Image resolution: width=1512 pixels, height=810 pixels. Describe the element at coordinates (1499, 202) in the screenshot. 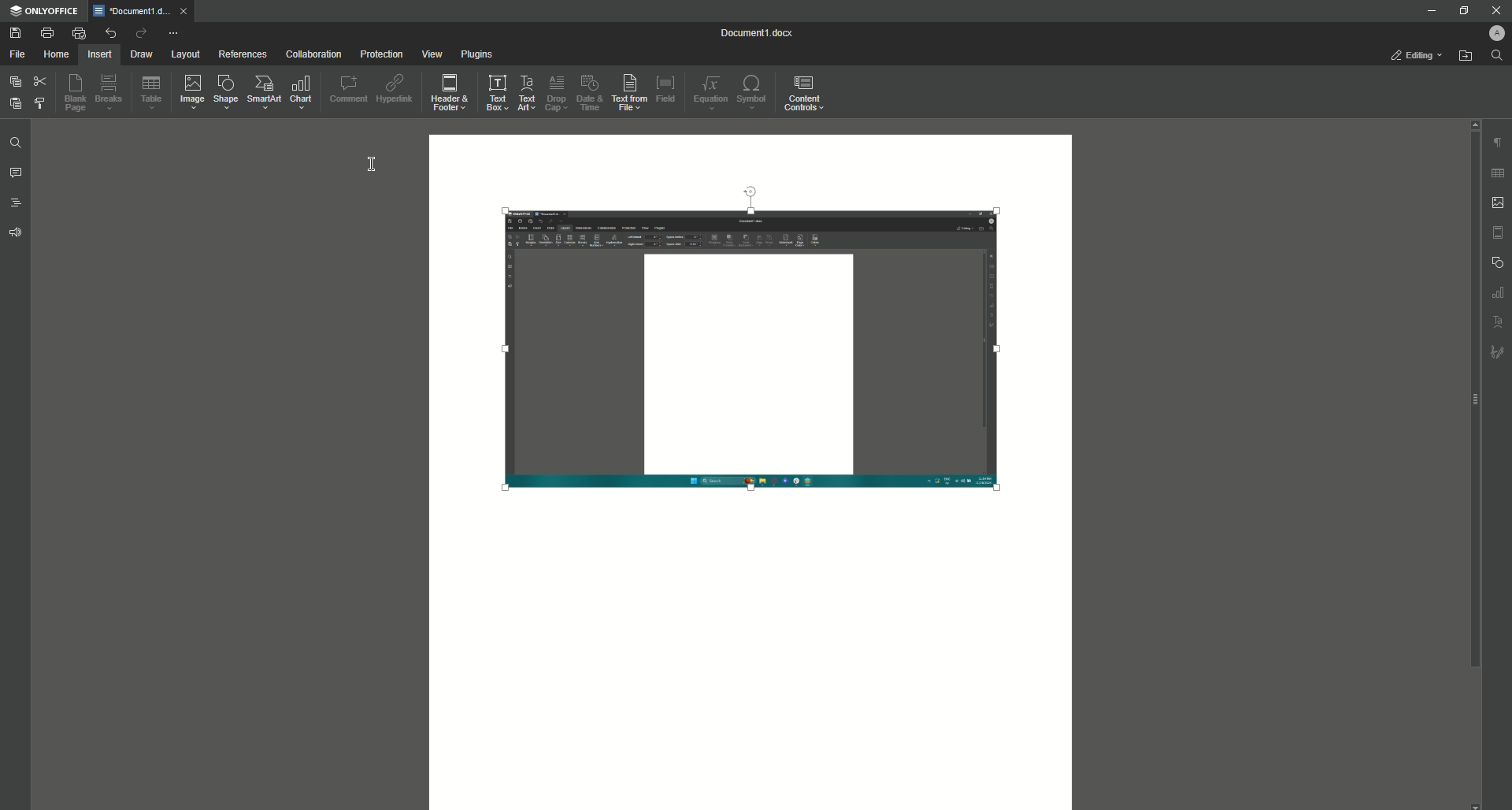

I see `Image Settings` at that location.